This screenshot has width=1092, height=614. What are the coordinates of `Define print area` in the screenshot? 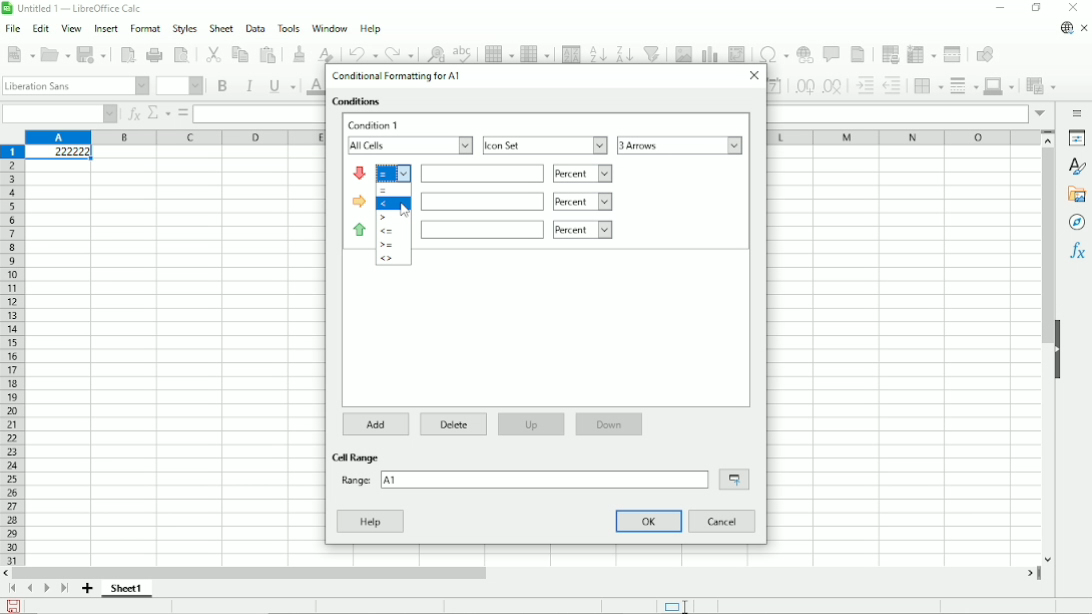 It's located at (888, 52).